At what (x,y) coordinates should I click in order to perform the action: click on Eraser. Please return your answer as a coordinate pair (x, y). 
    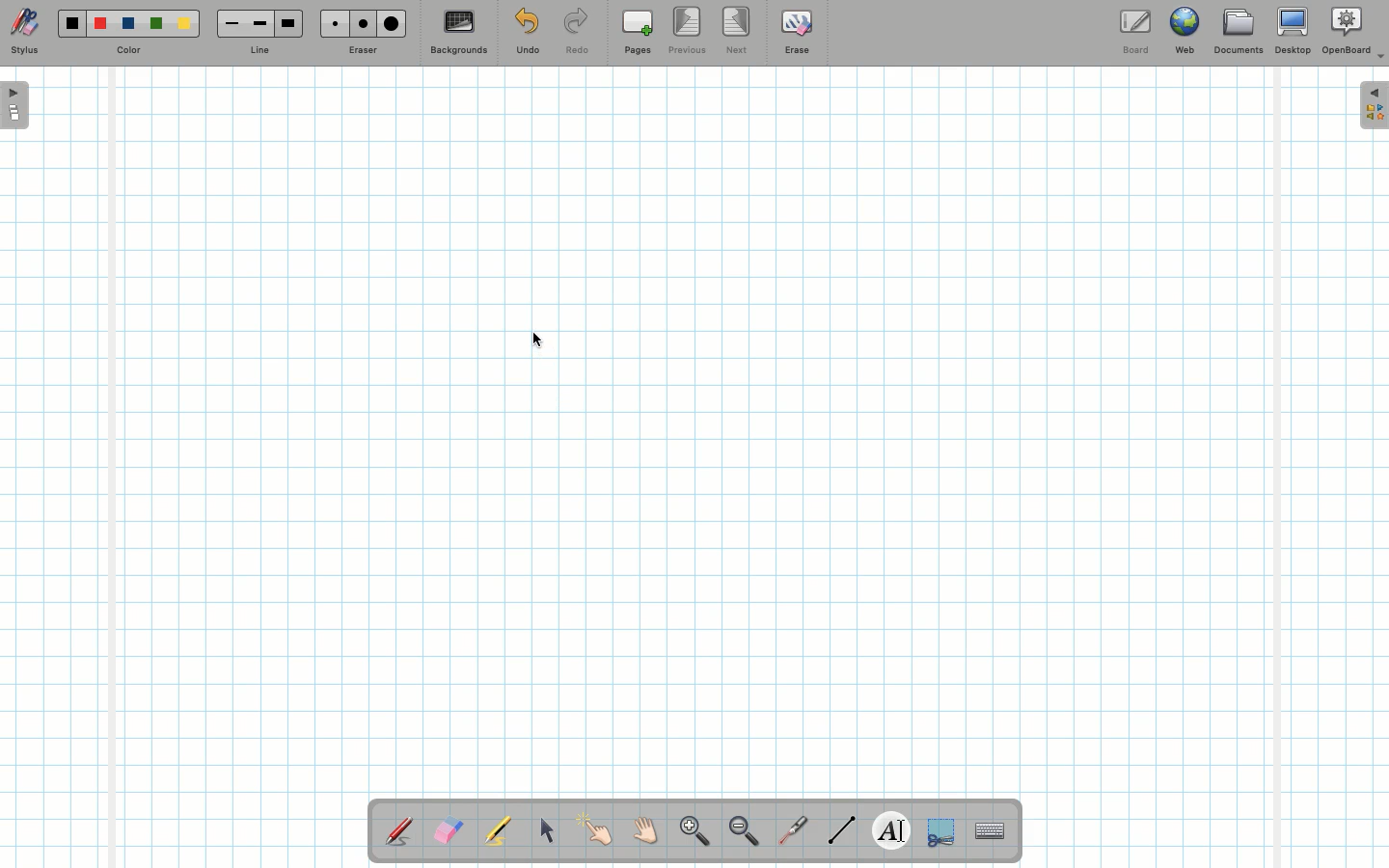
    Looking at the image, I should click on (362, 52).